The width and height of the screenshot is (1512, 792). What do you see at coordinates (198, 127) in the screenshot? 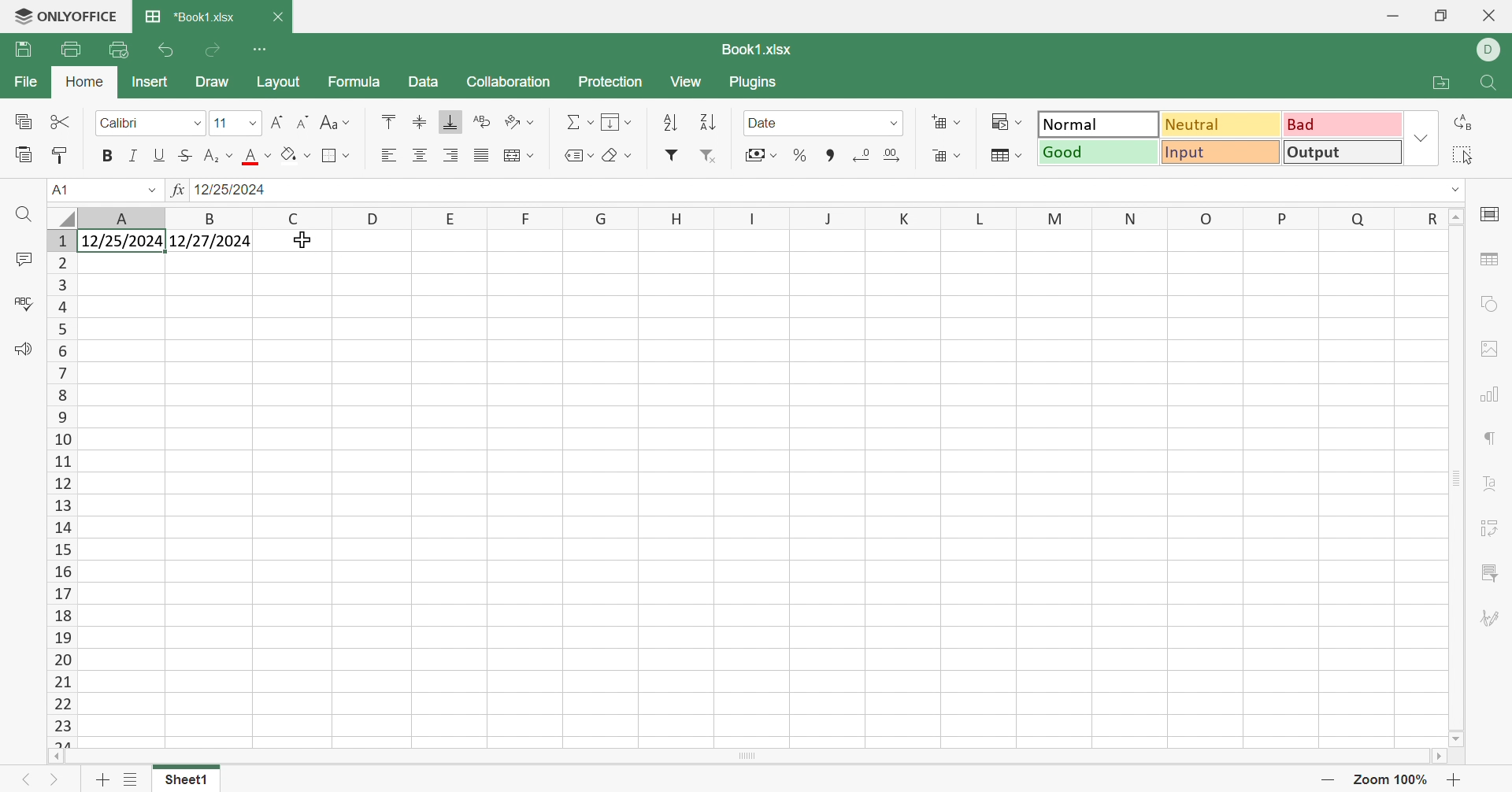
I see `Drop Down` at bounding box center [198, 127].